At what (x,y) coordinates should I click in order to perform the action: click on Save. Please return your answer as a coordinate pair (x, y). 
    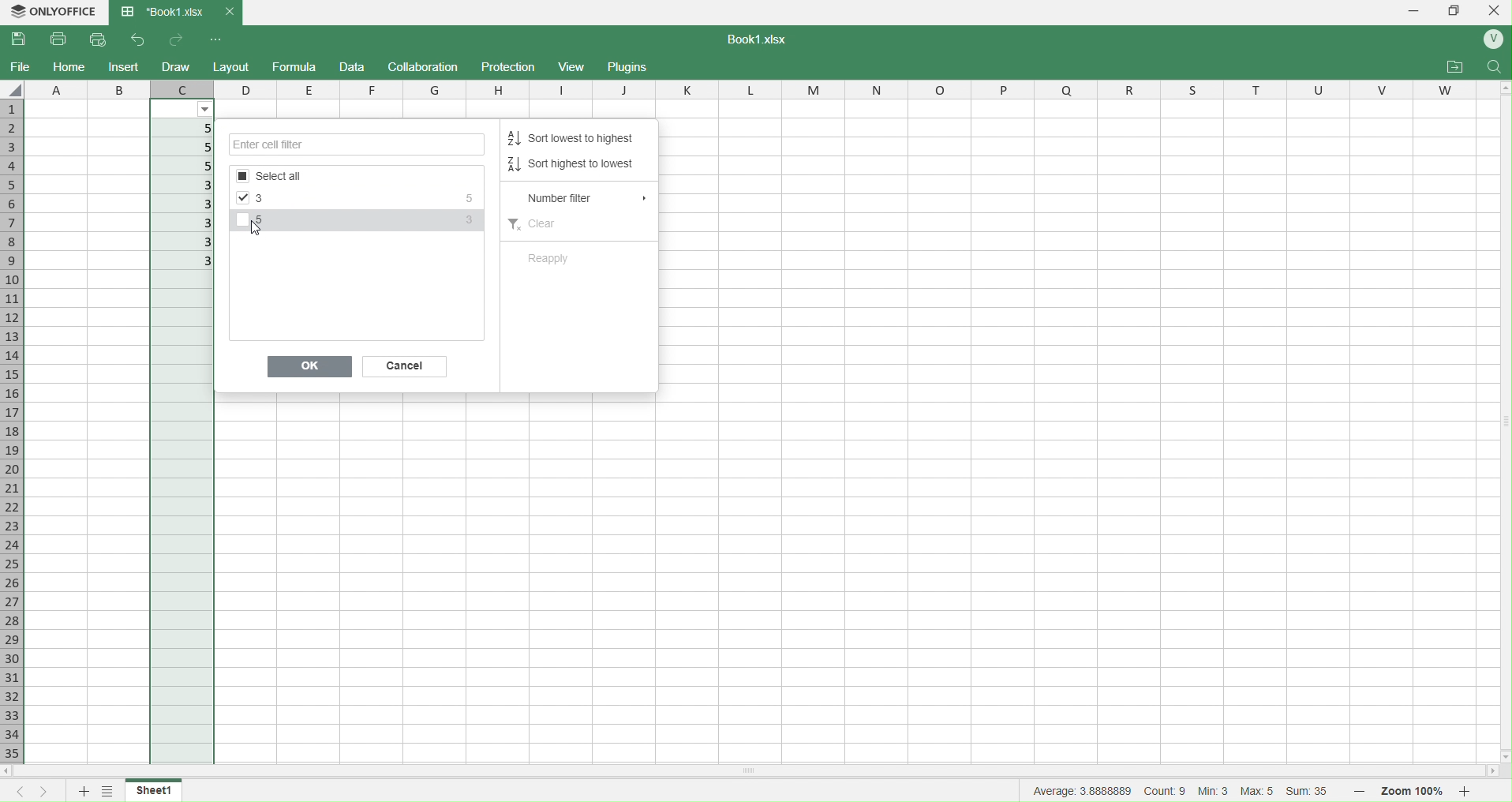
    Looking at the image, I should click on (21, 39).